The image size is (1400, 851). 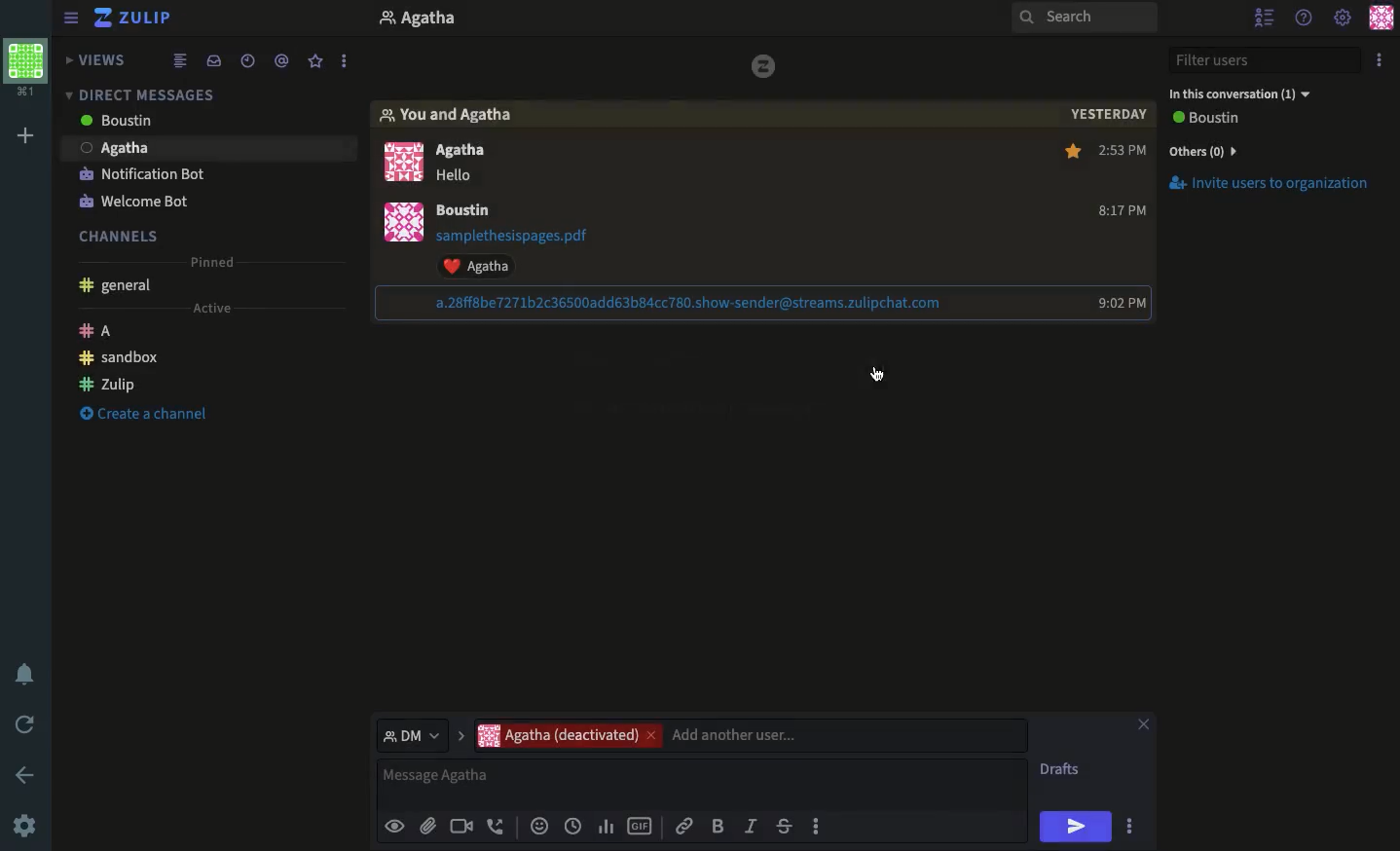 What do you see at coordinates (99, 333) in the screenshot?
I see `A` at bounding box center [99, 333].